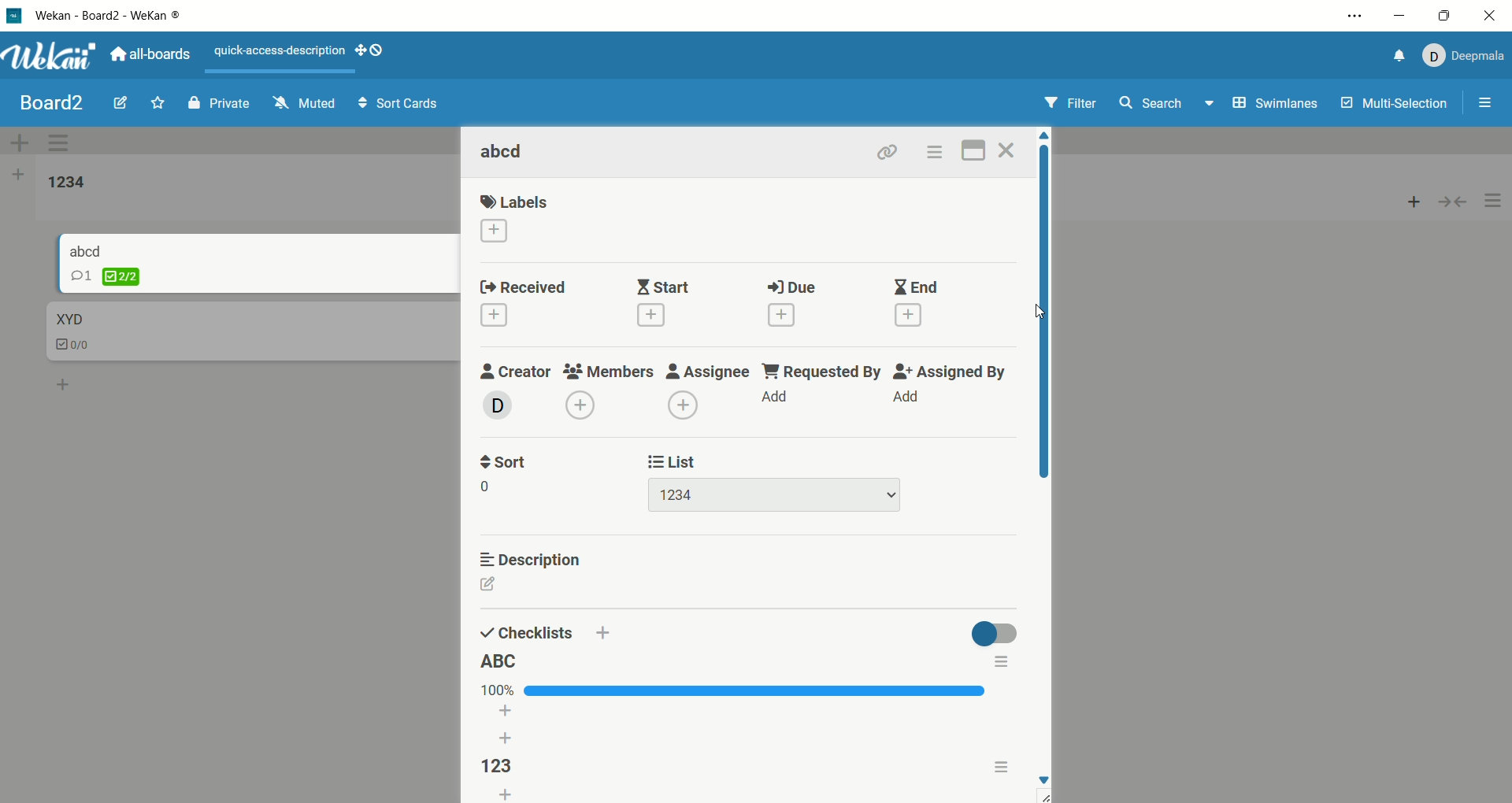 The height and width of the screenshot is (803, 1512). Describe the element at coordinates (494, 485) in the screenshot. I see `0` at that location.